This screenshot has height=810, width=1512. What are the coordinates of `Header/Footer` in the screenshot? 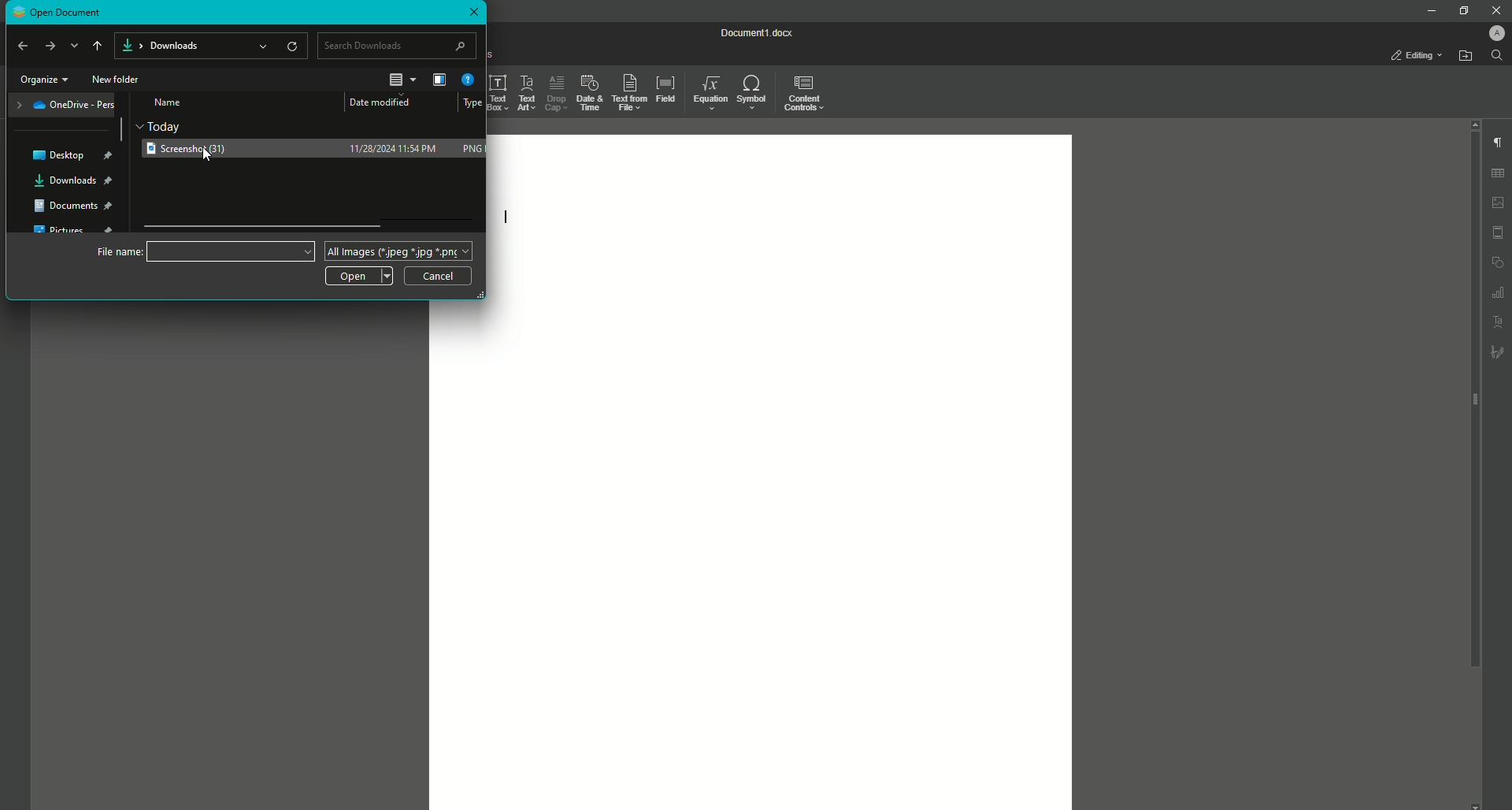 It's located at (1499, 232).